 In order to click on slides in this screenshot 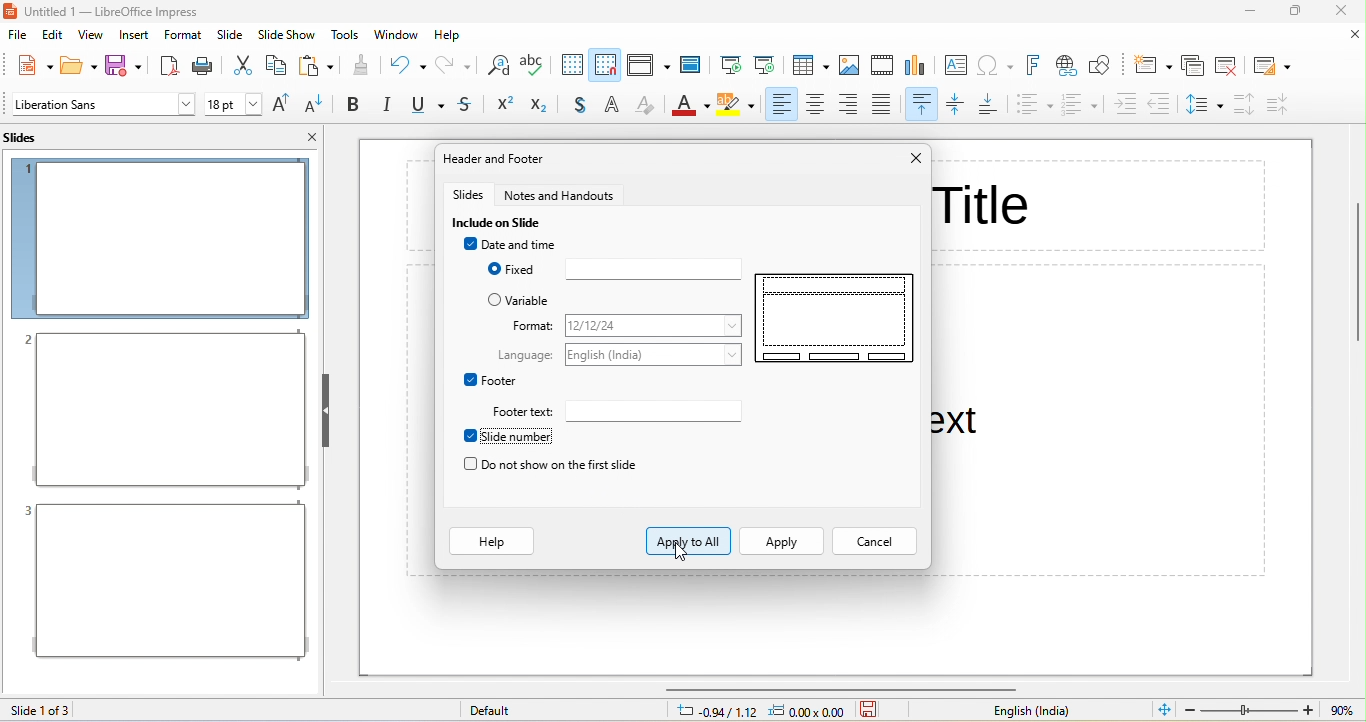, I will do `click(468, 194)`.